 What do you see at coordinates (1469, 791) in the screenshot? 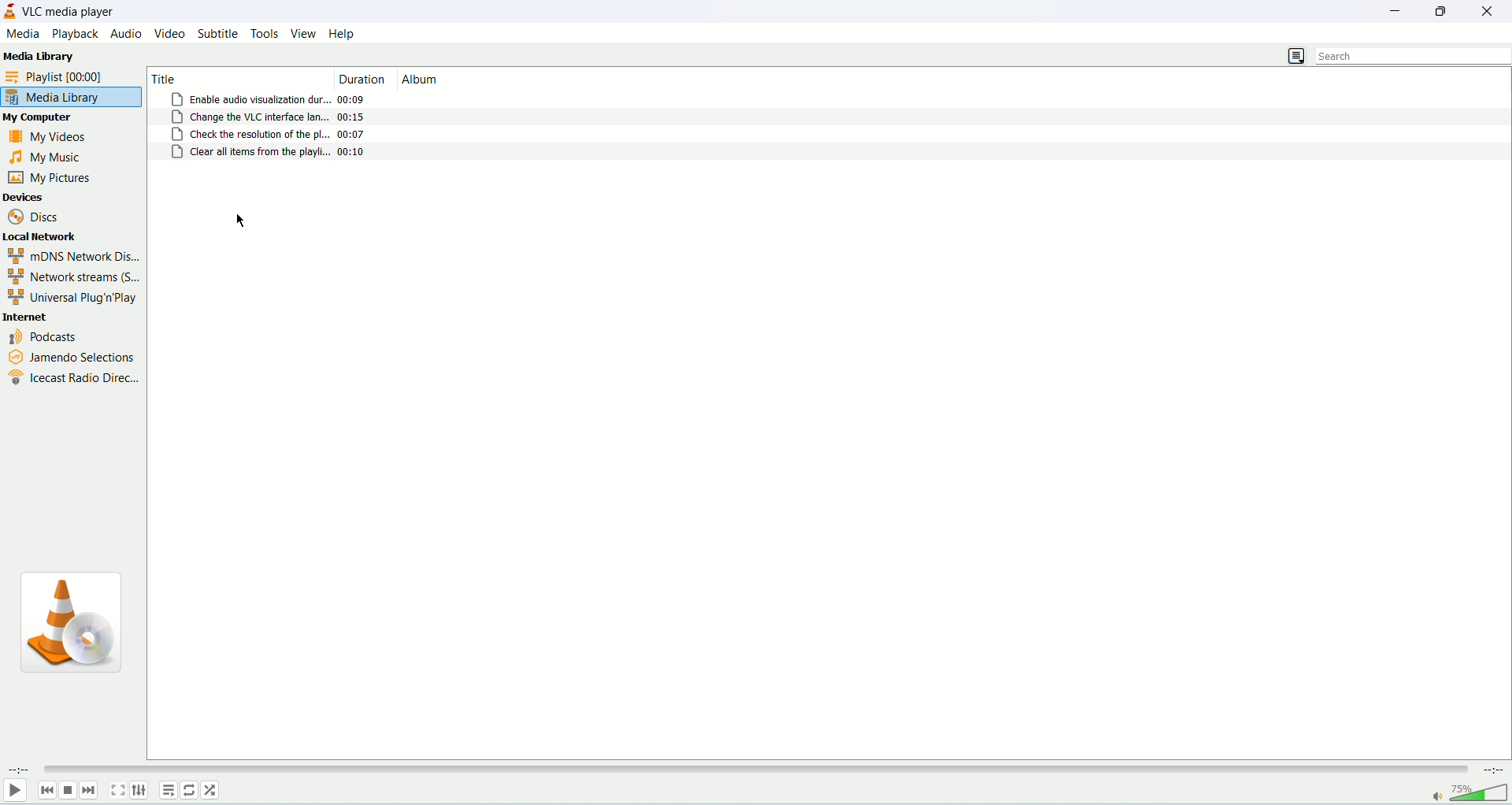
I see `volume bar` at bounding box center [1469, 791].